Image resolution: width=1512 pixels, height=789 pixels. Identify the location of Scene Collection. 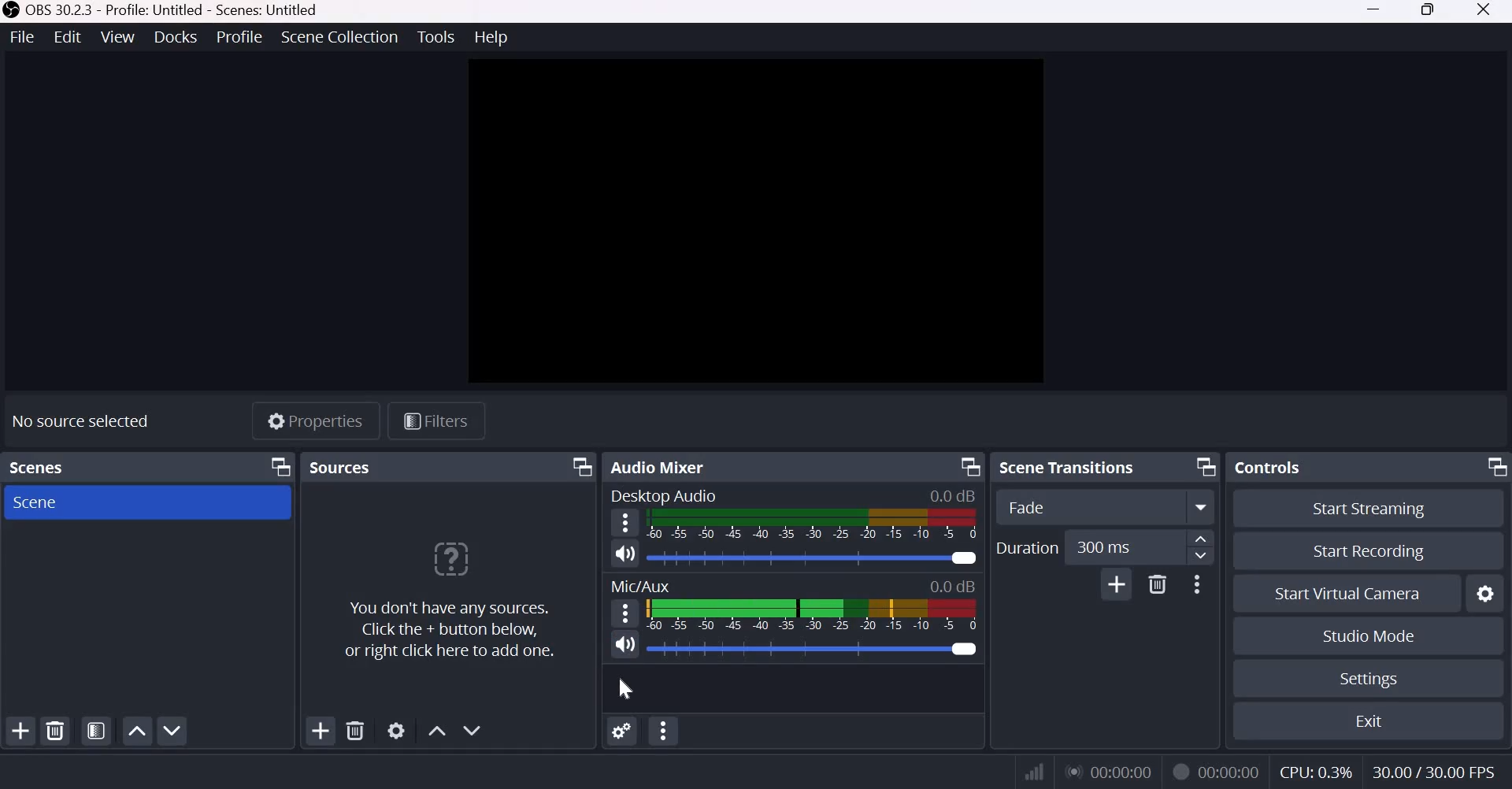
(339, 36).